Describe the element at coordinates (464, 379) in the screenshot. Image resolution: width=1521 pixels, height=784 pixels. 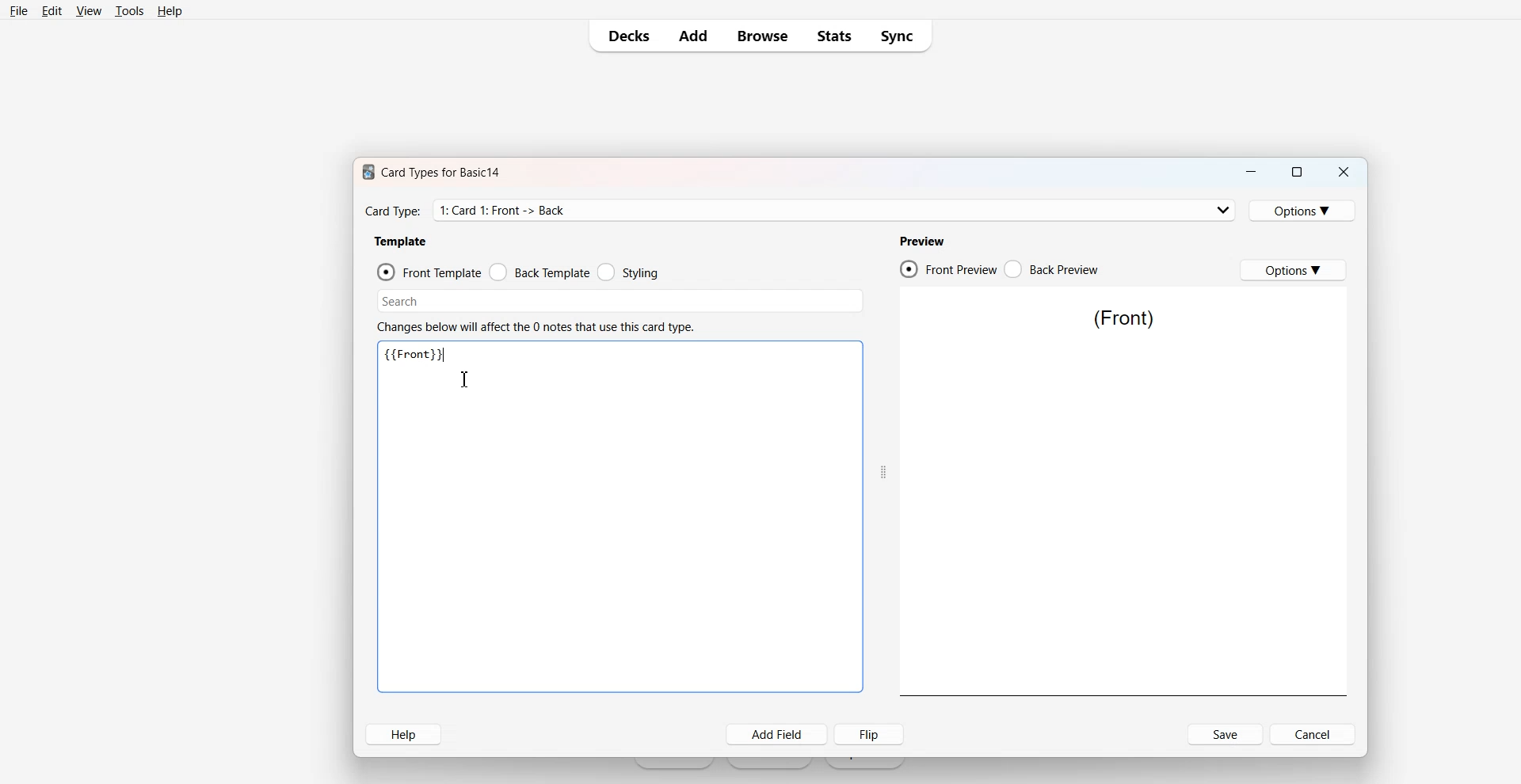
I see `Text cursor` at that location.